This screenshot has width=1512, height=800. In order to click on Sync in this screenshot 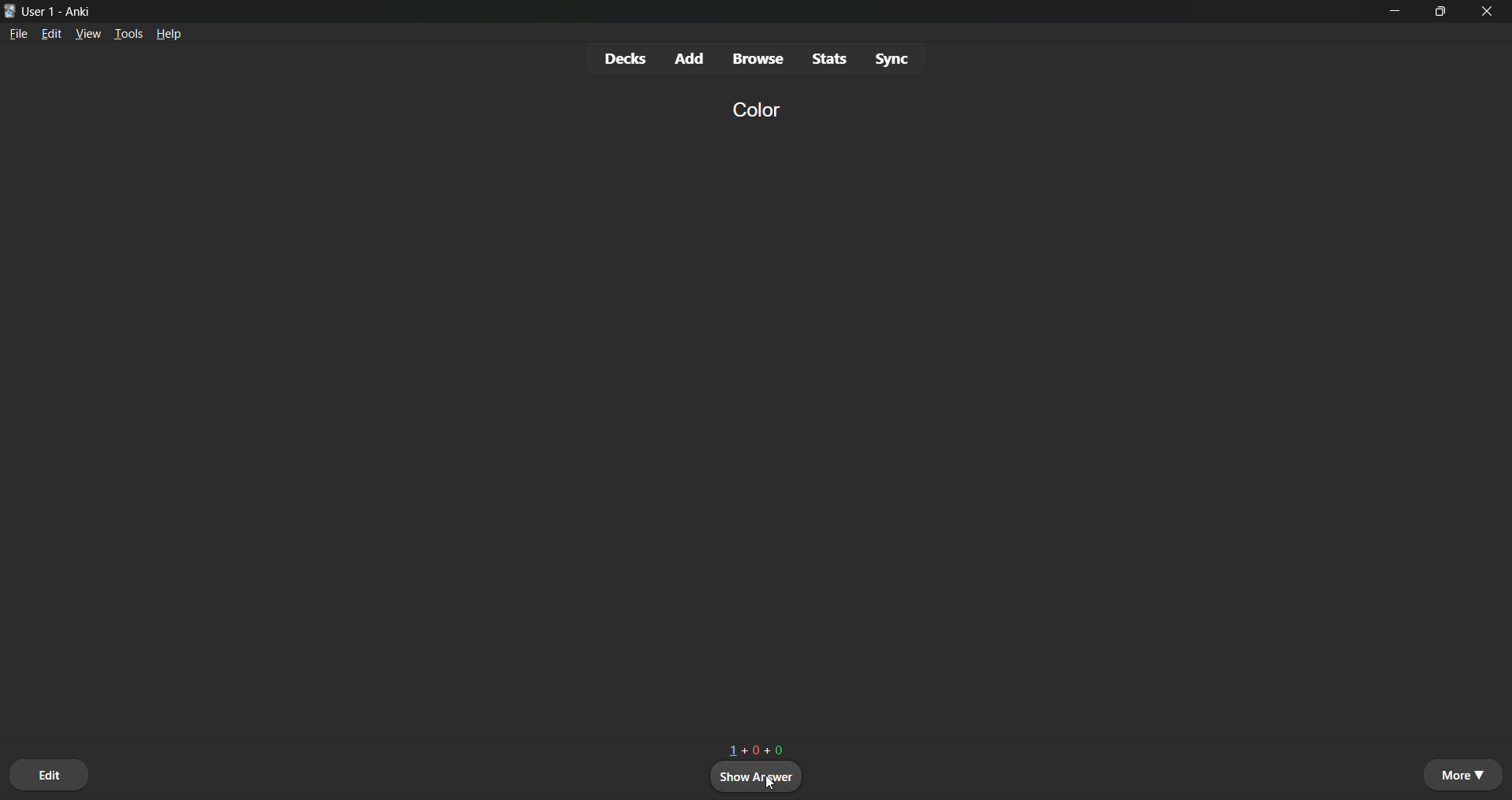, I will do `click(895, 59)`.